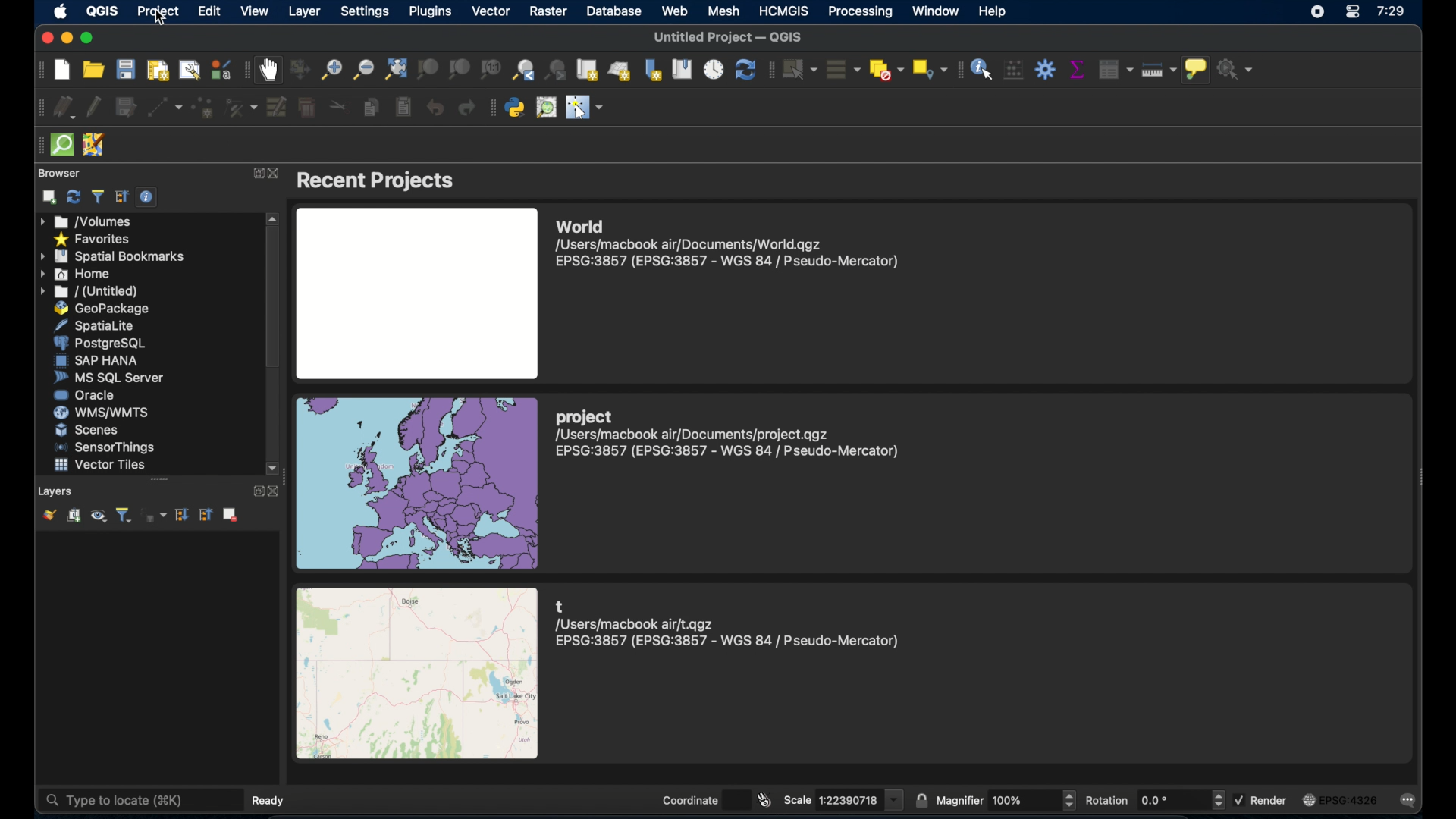 The width and height of the screenshot is (1456, 819). What do you see at coordinates (240, 108) in the screenshot?
I see `vertex tool` at bounding box center [240, 108].